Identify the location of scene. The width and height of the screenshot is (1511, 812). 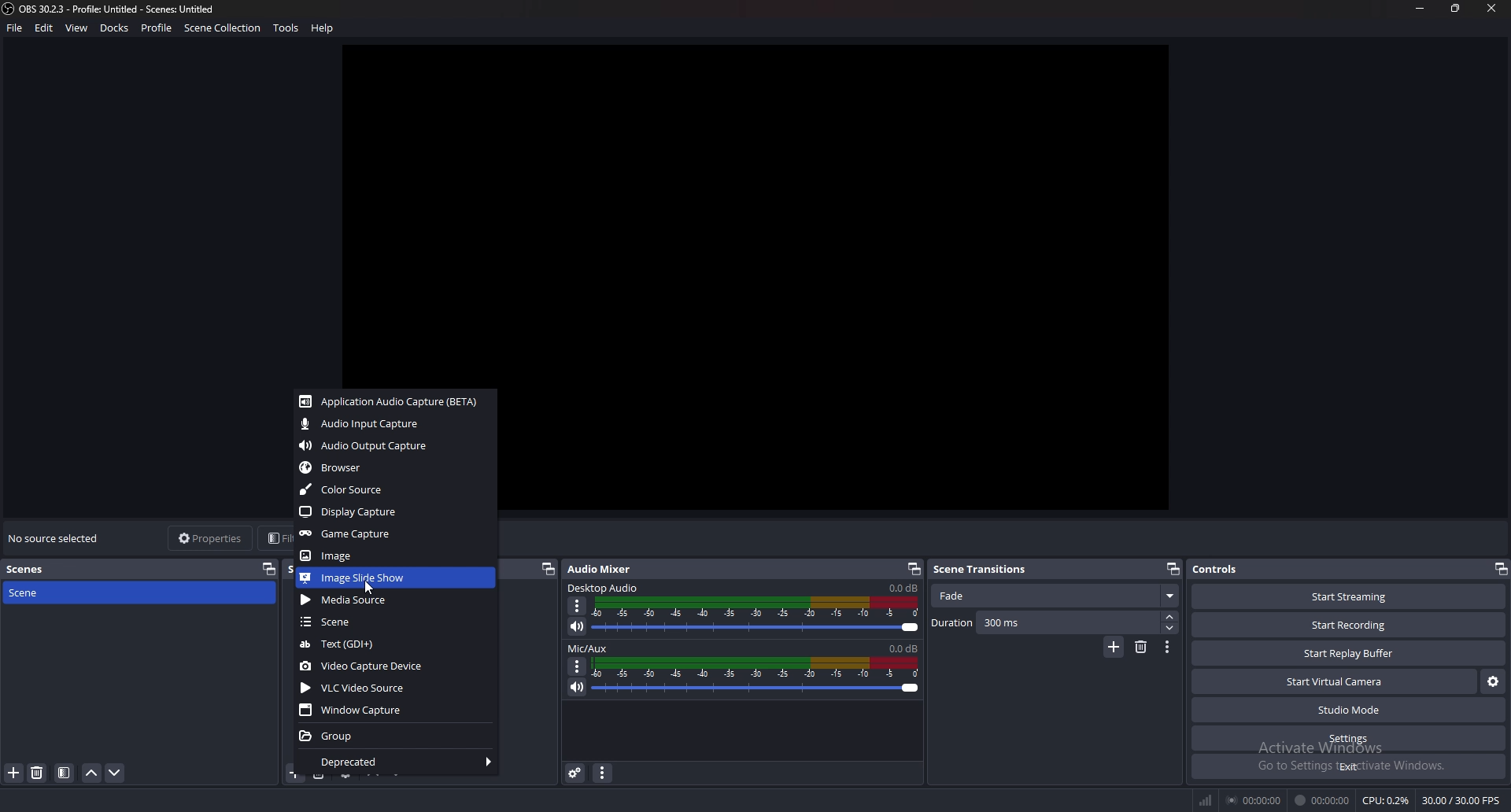
(393, 622).